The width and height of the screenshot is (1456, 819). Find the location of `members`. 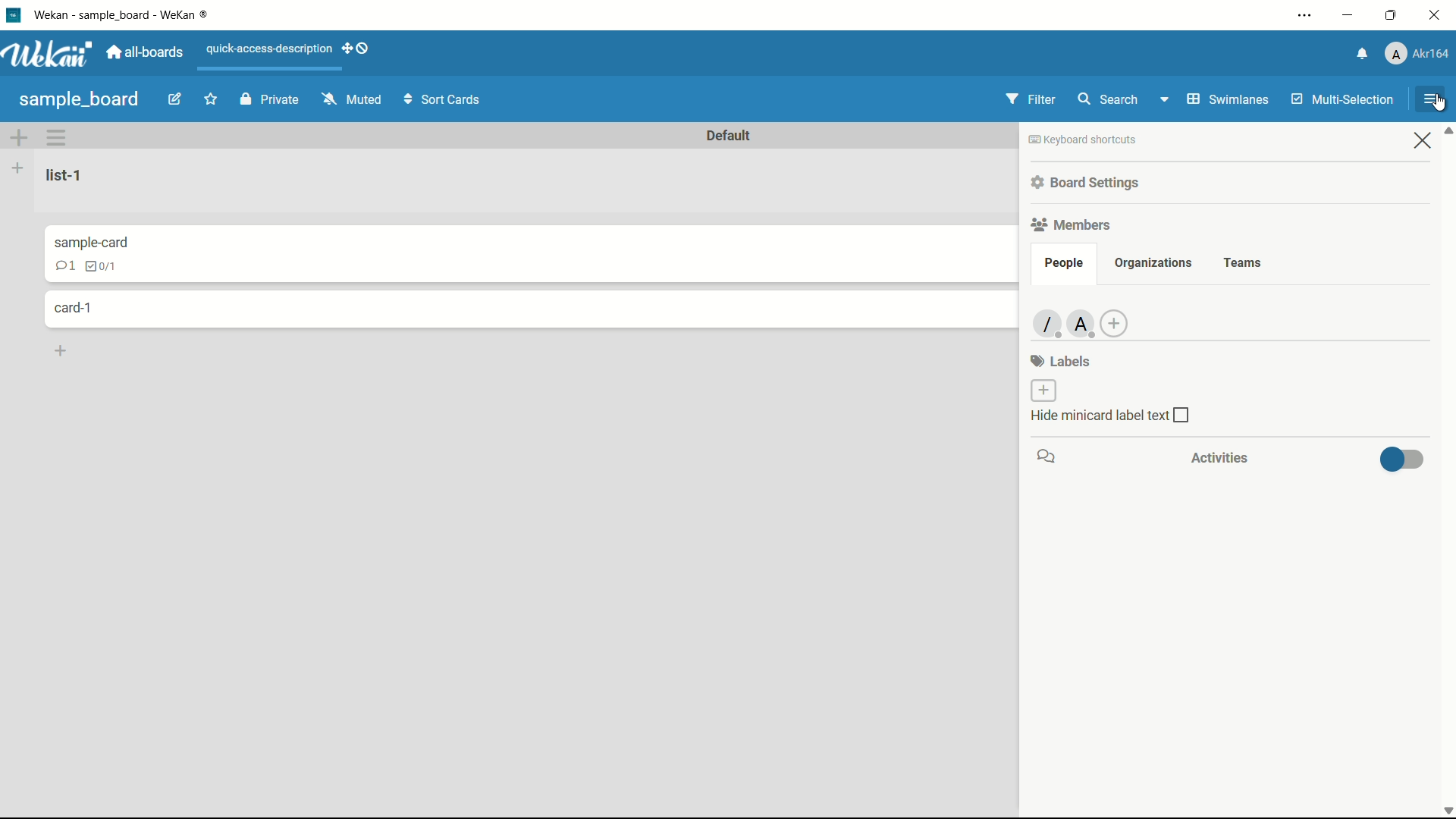

members is located at coordinates (1070, 224).